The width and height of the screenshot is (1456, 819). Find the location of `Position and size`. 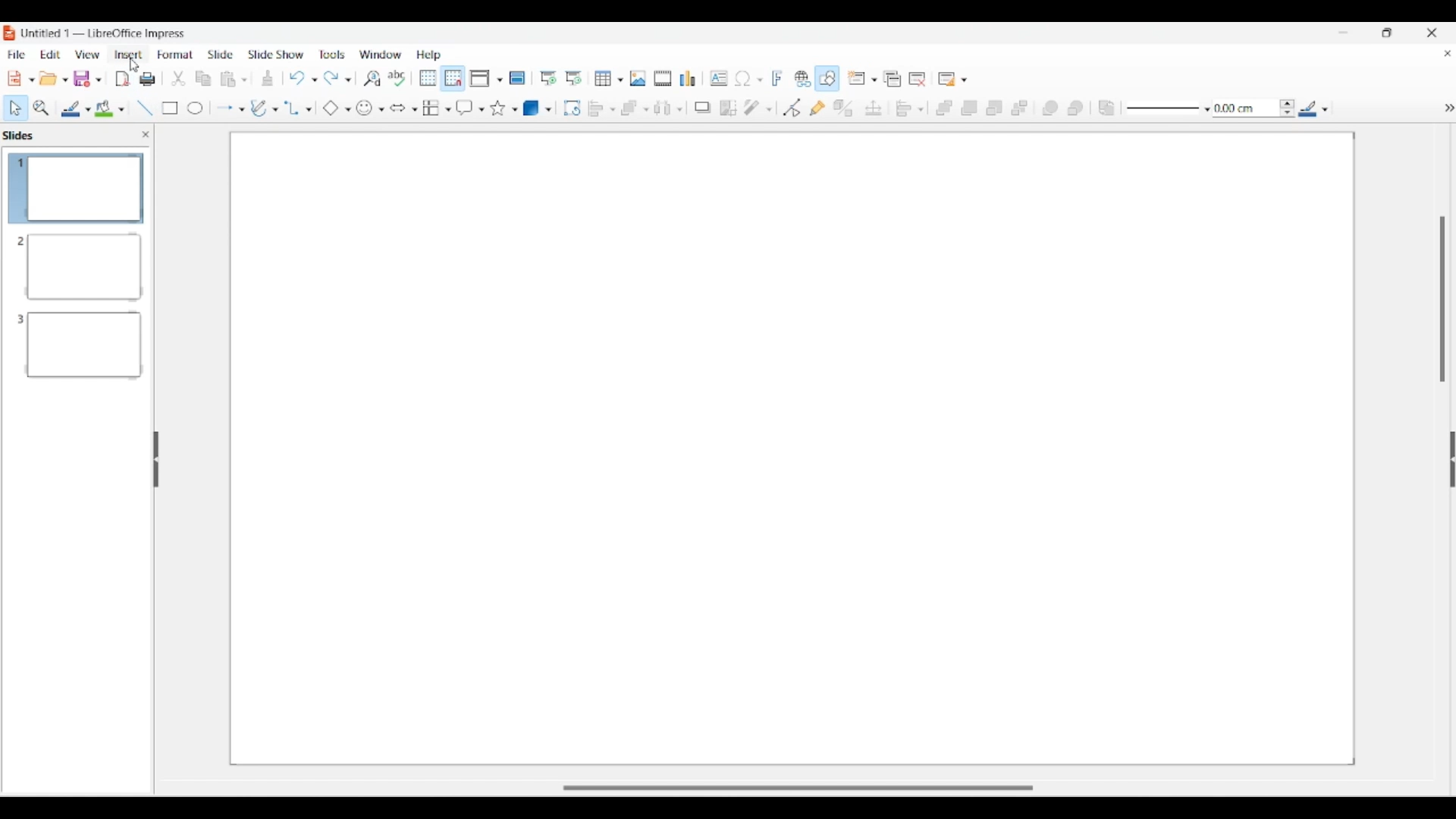

Position and size is located at coordinates (874, 108).